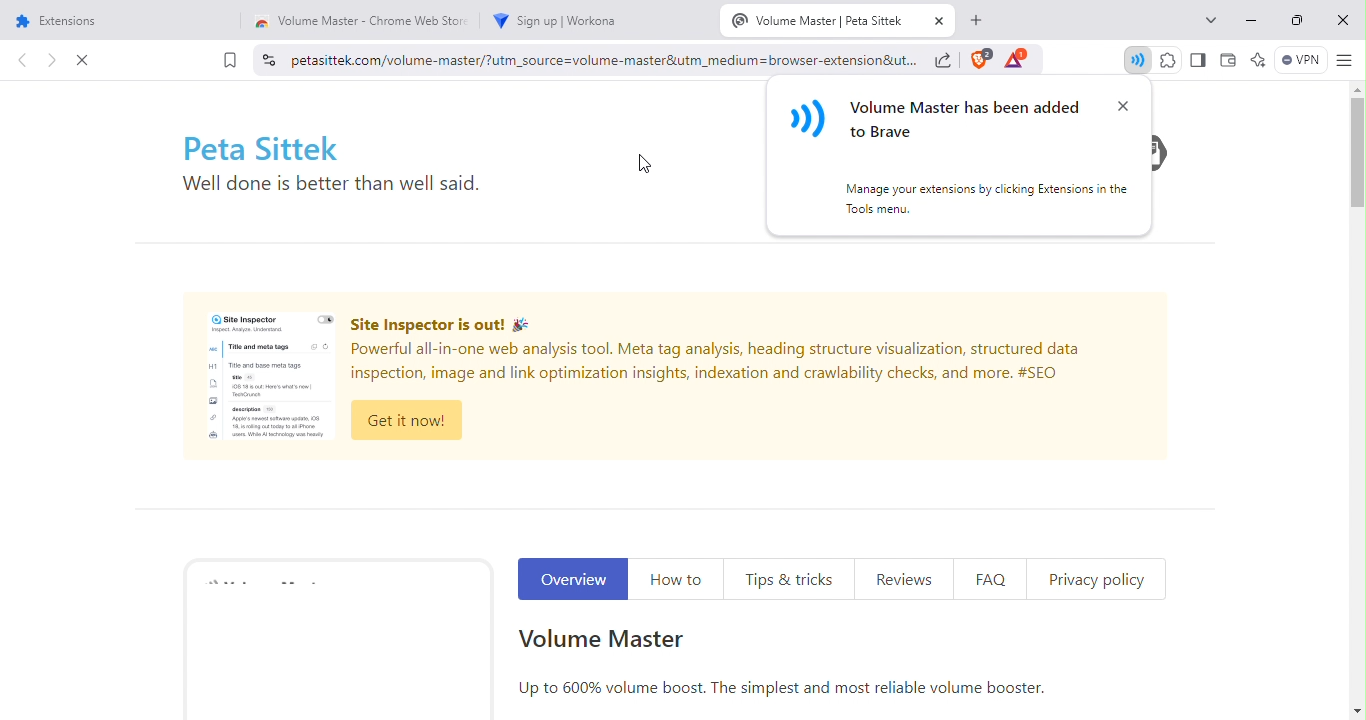  I want to click on maximize , so click(1302, 19).